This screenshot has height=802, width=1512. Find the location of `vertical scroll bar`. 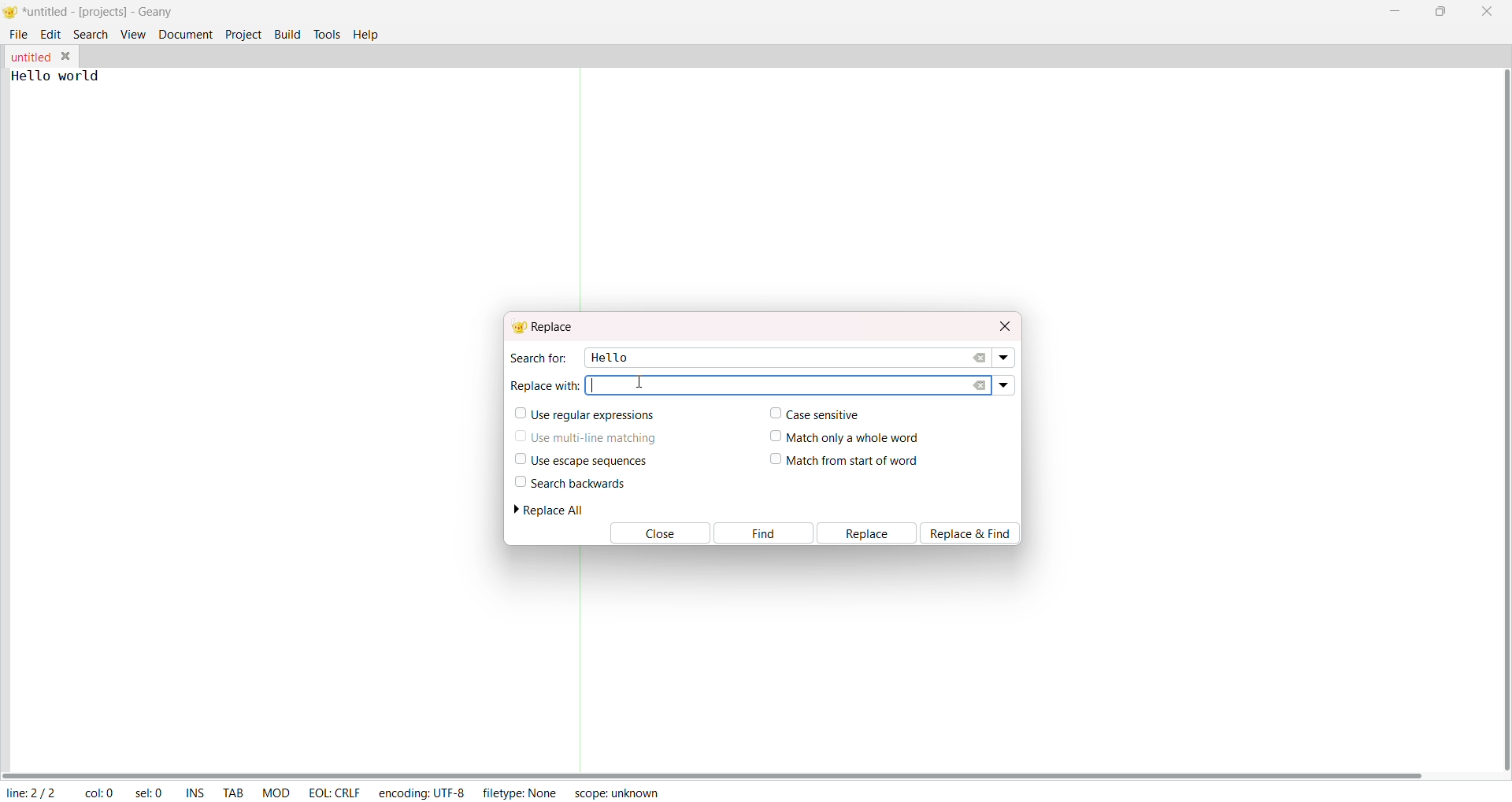

vertical scroll bar is located at coordinates (1501, 420).